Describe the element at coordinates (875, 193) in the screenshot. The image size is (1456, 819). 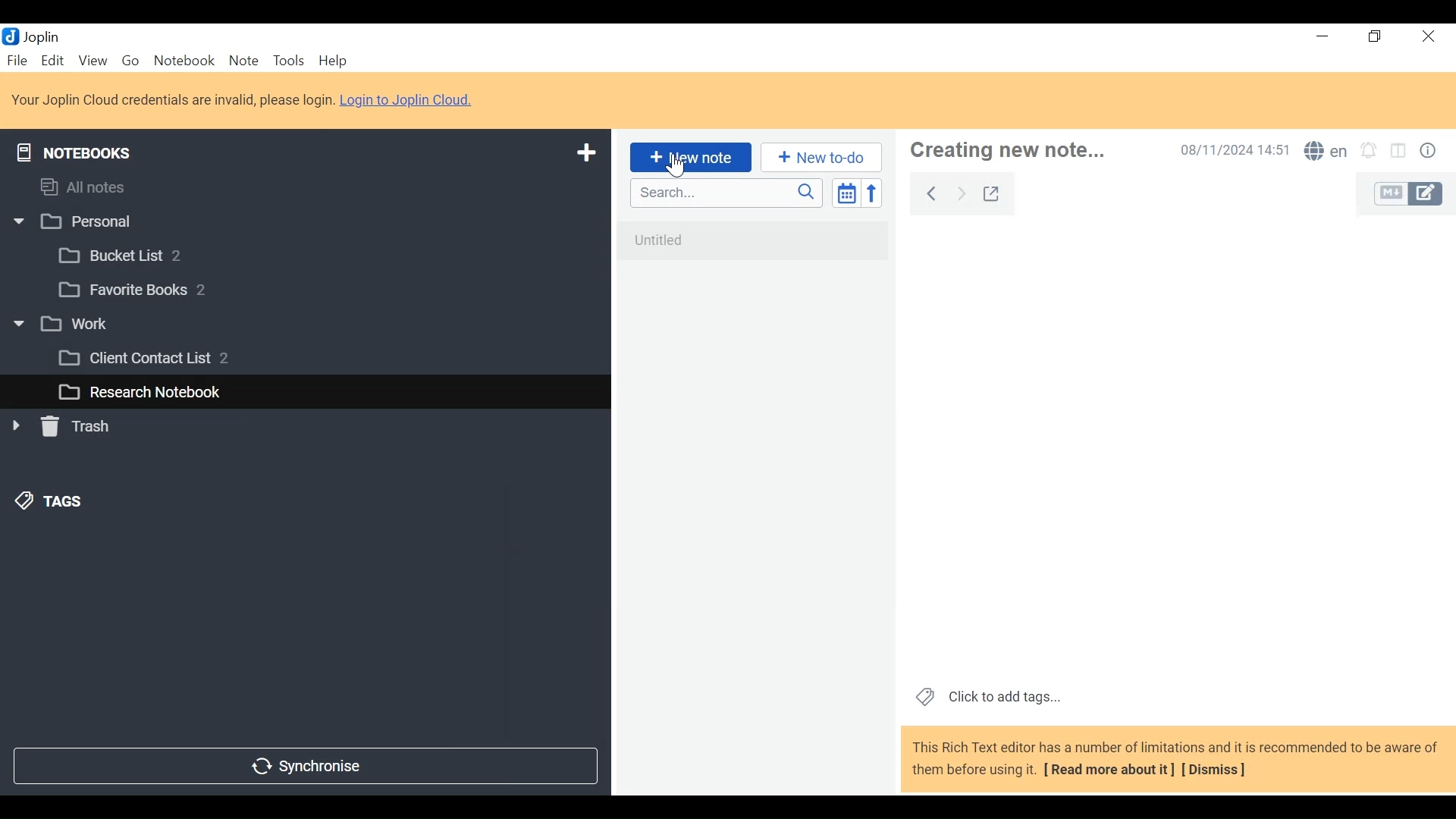
I see `Reverse Sort order` at that location.